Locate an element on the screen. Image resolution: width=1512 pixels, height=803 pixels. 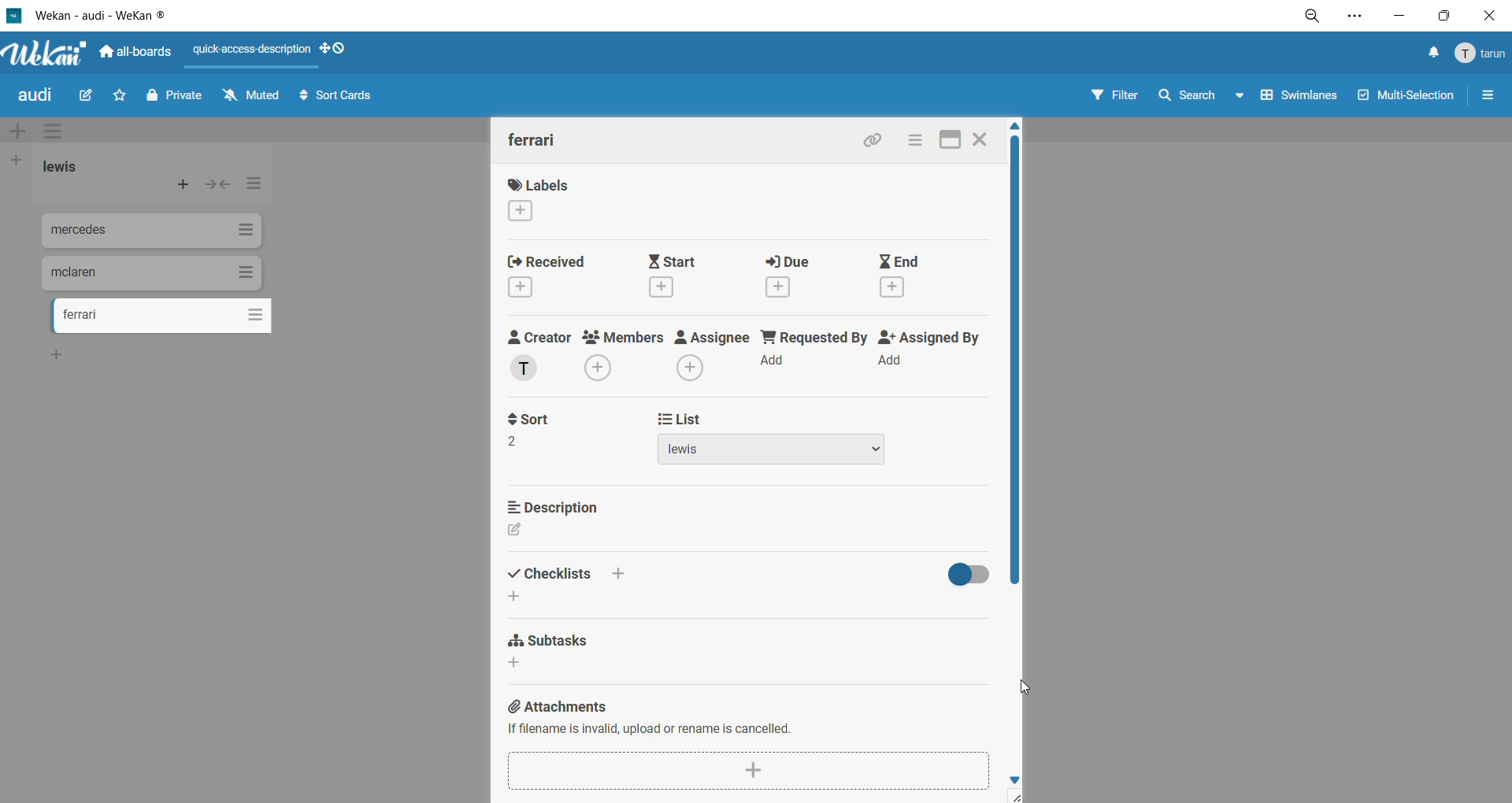
cursor is located at coordinates (1025, 688).